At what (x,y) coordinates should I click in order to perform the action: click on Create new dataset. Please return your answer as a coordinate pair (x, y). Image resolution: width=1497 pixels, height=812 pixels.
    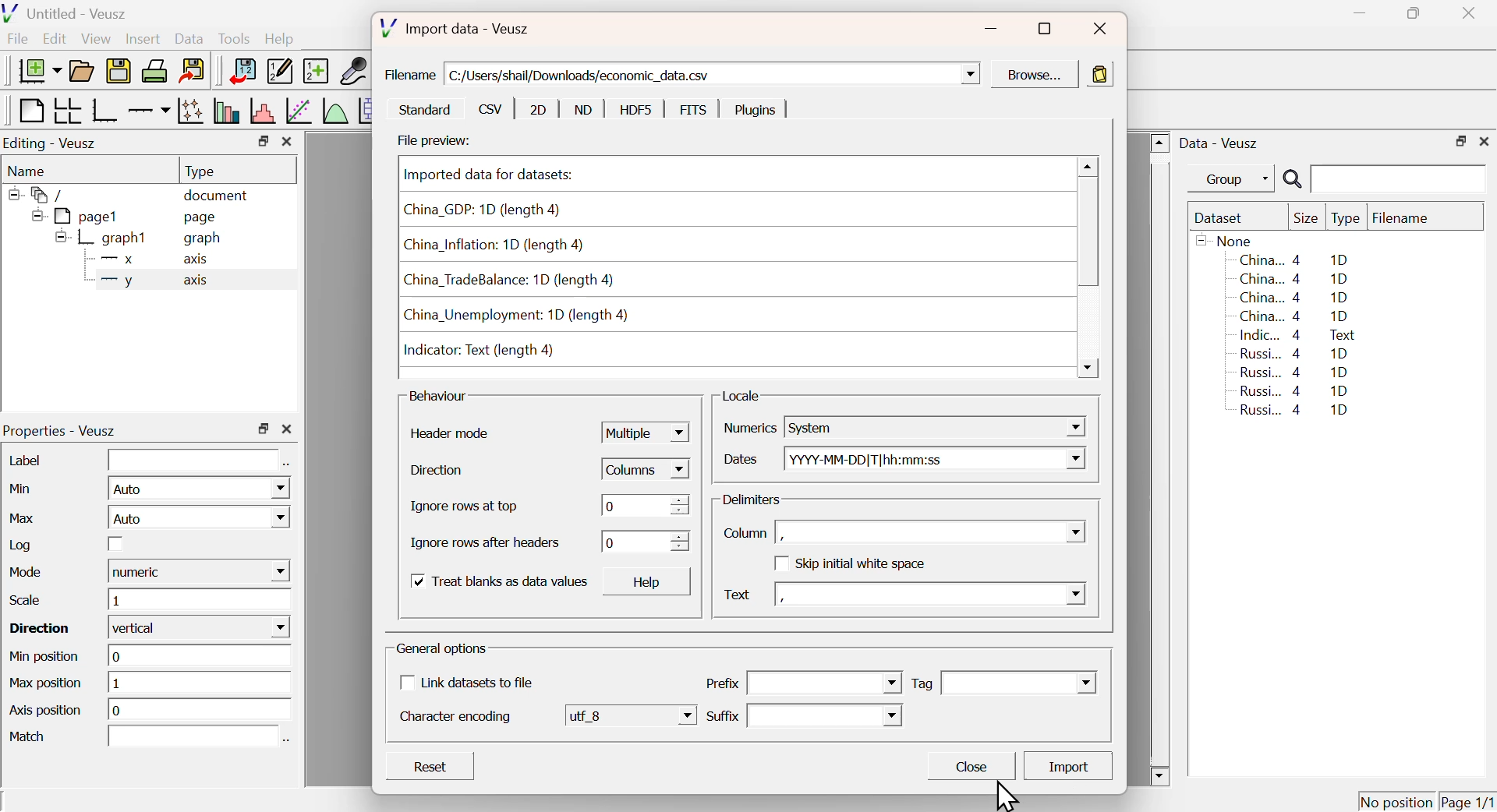
    Looking at the image, I should click on (315, 72).